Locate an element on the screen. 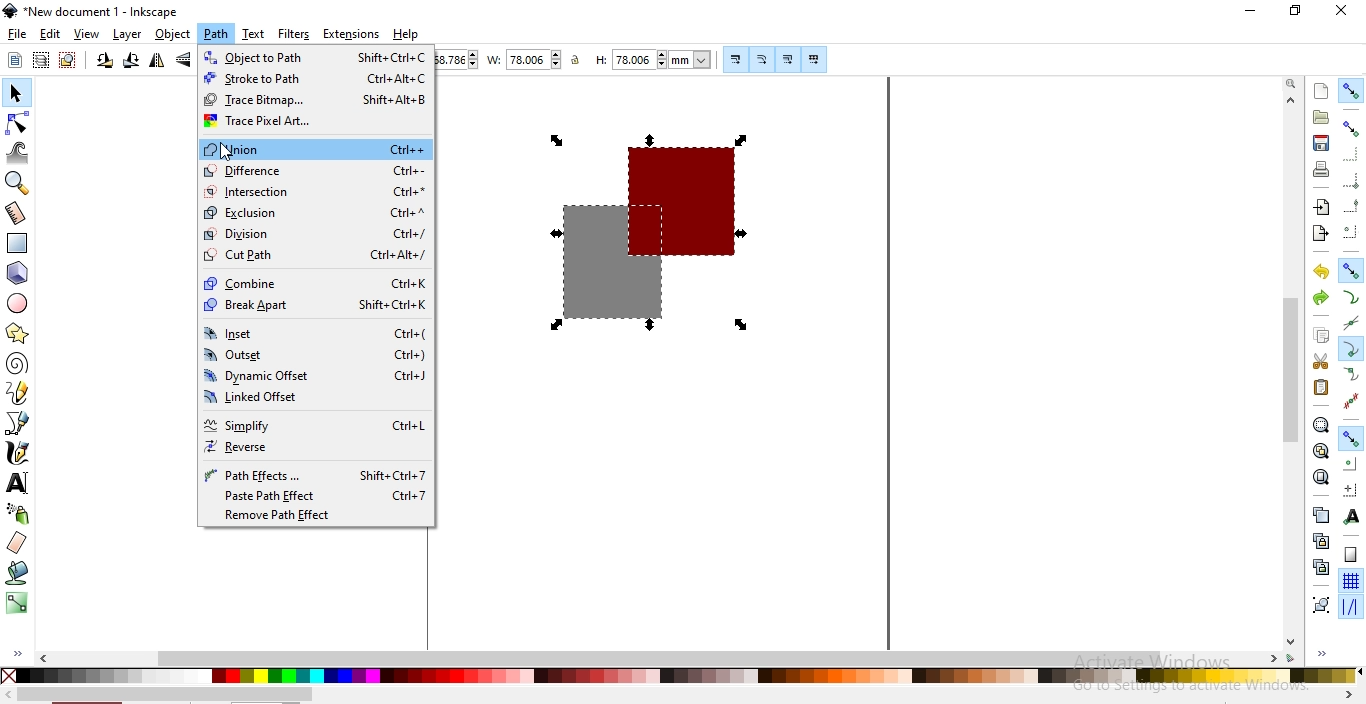  paste path effect is located at coordinates (317, 495).